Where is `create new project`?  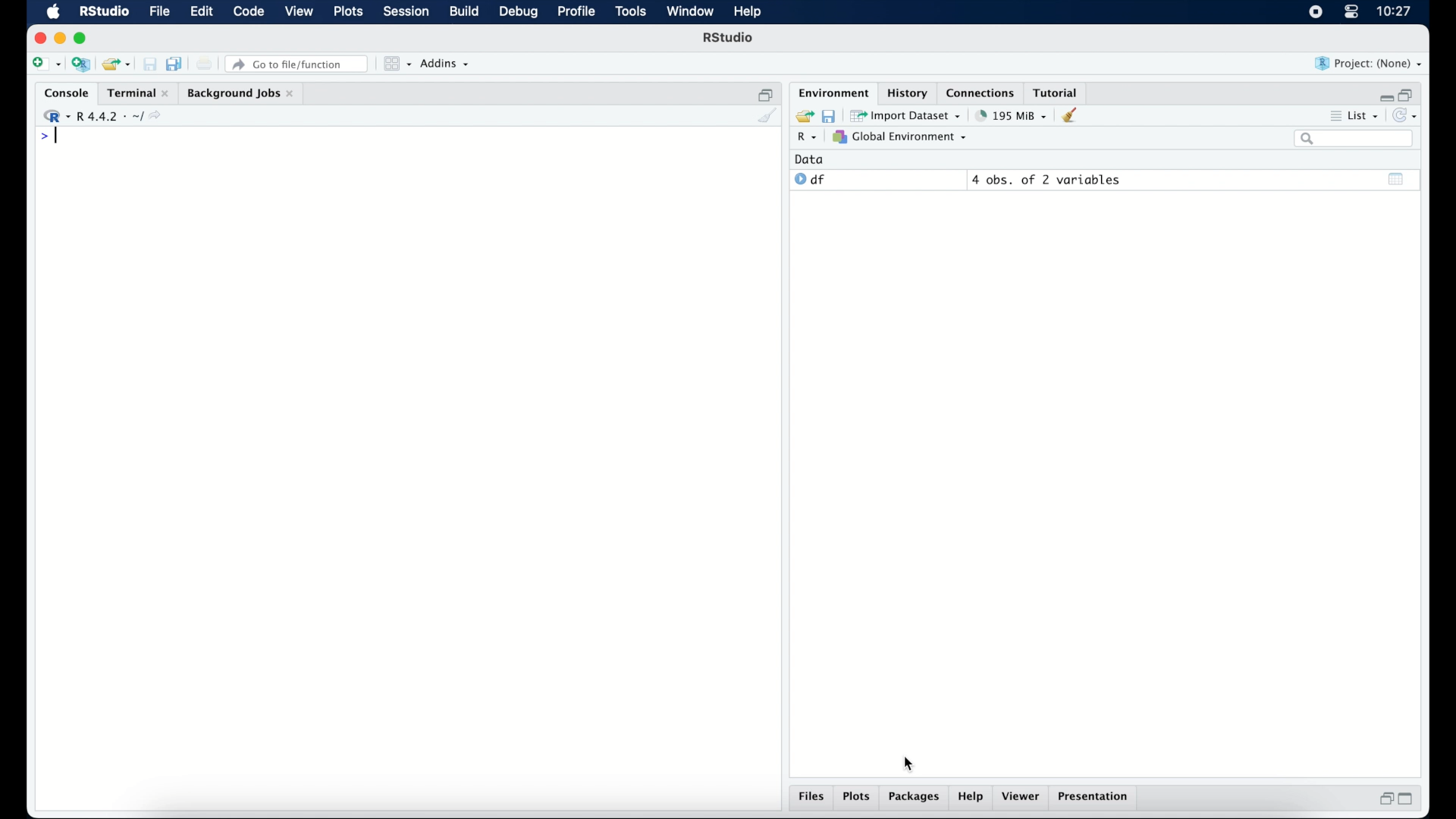 create new project is located at coordinates (81, 65).